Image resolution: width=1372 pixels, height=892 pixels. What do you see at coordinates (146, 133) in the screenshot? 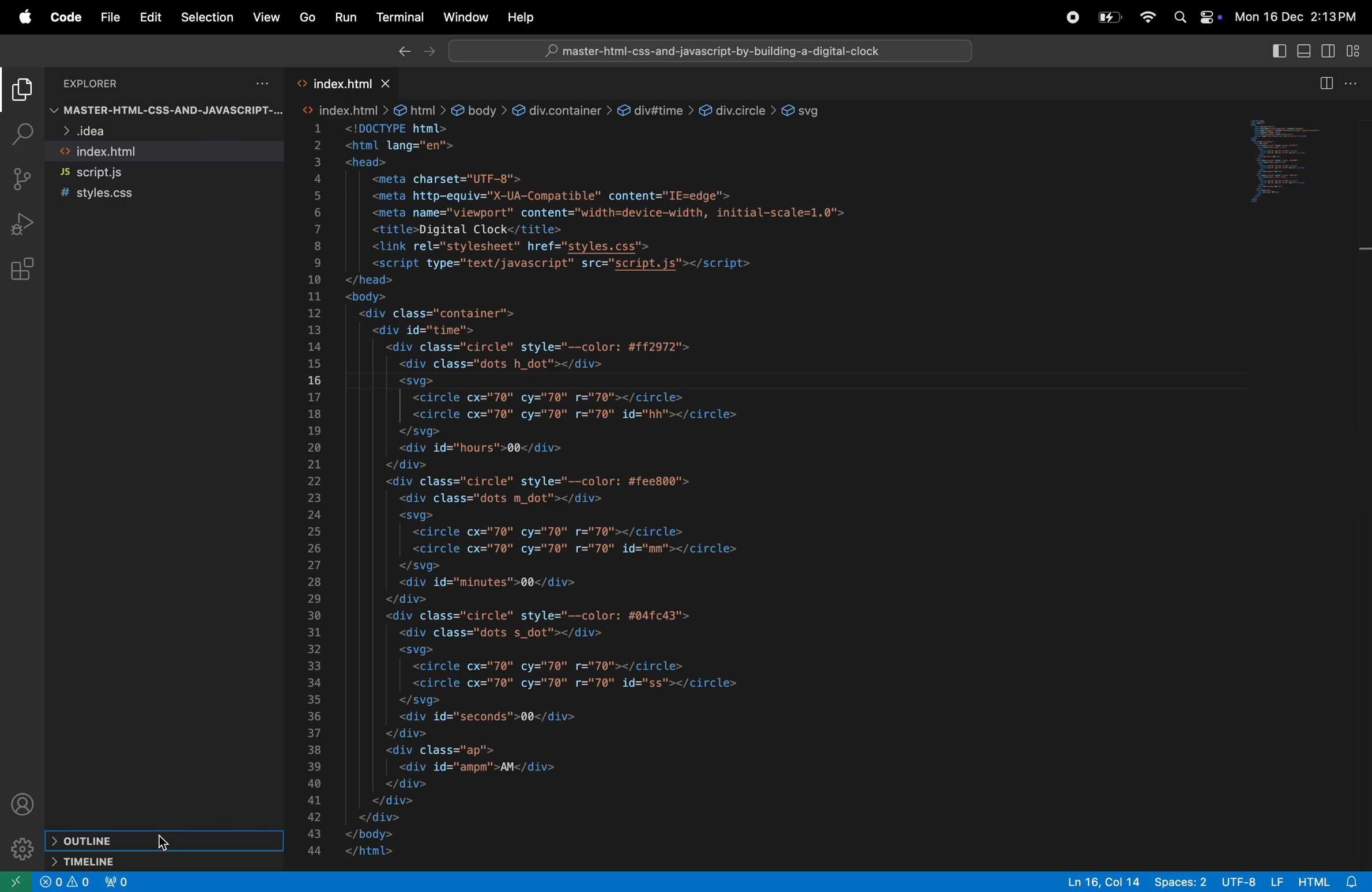
I see `idea` at bounding box center [146, 133].